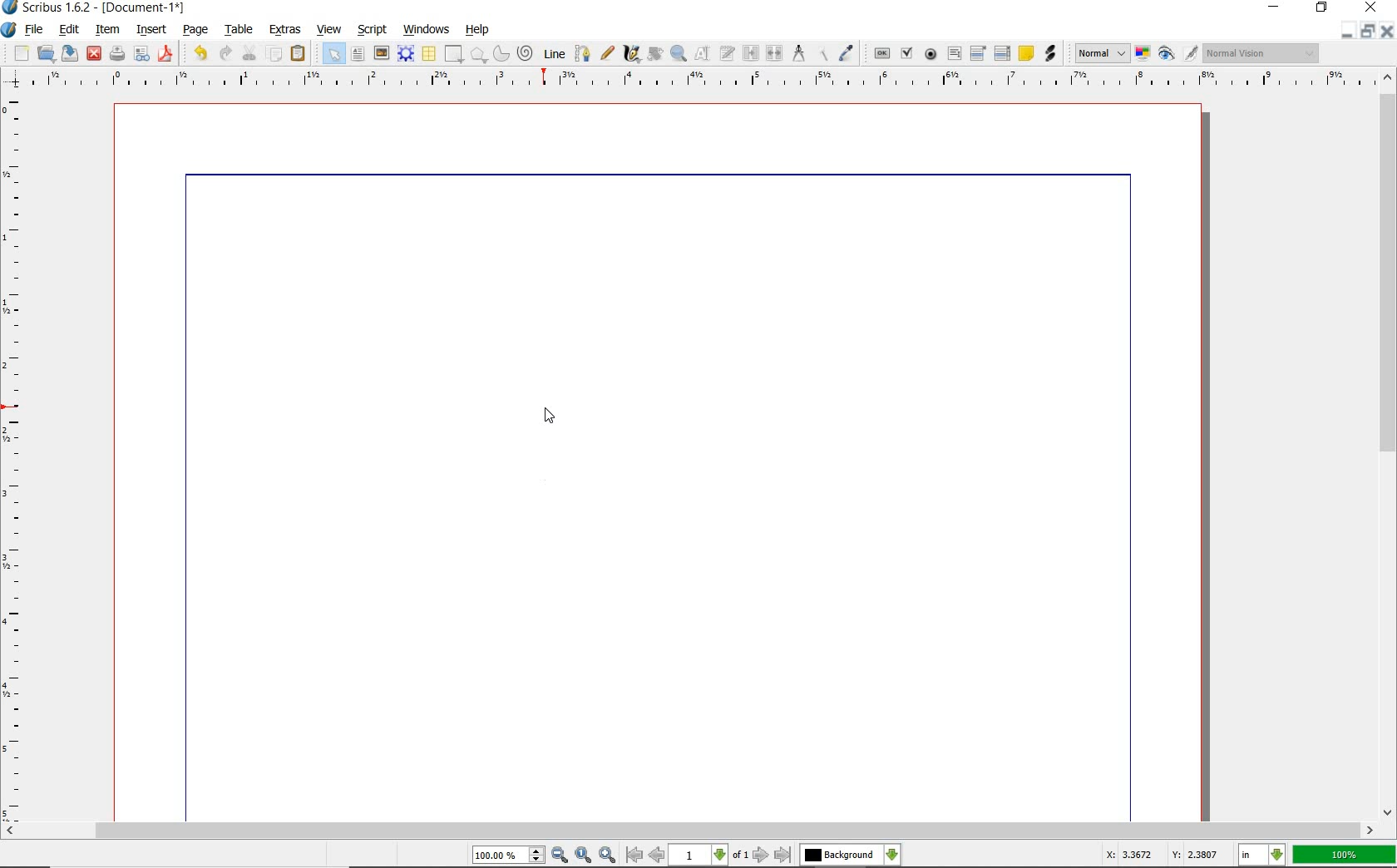 The height and width of the screenshot is (868, 1397). Describe the element at coordinates (1343, 31) in the screenshot. I see `Restore Down` at that location.